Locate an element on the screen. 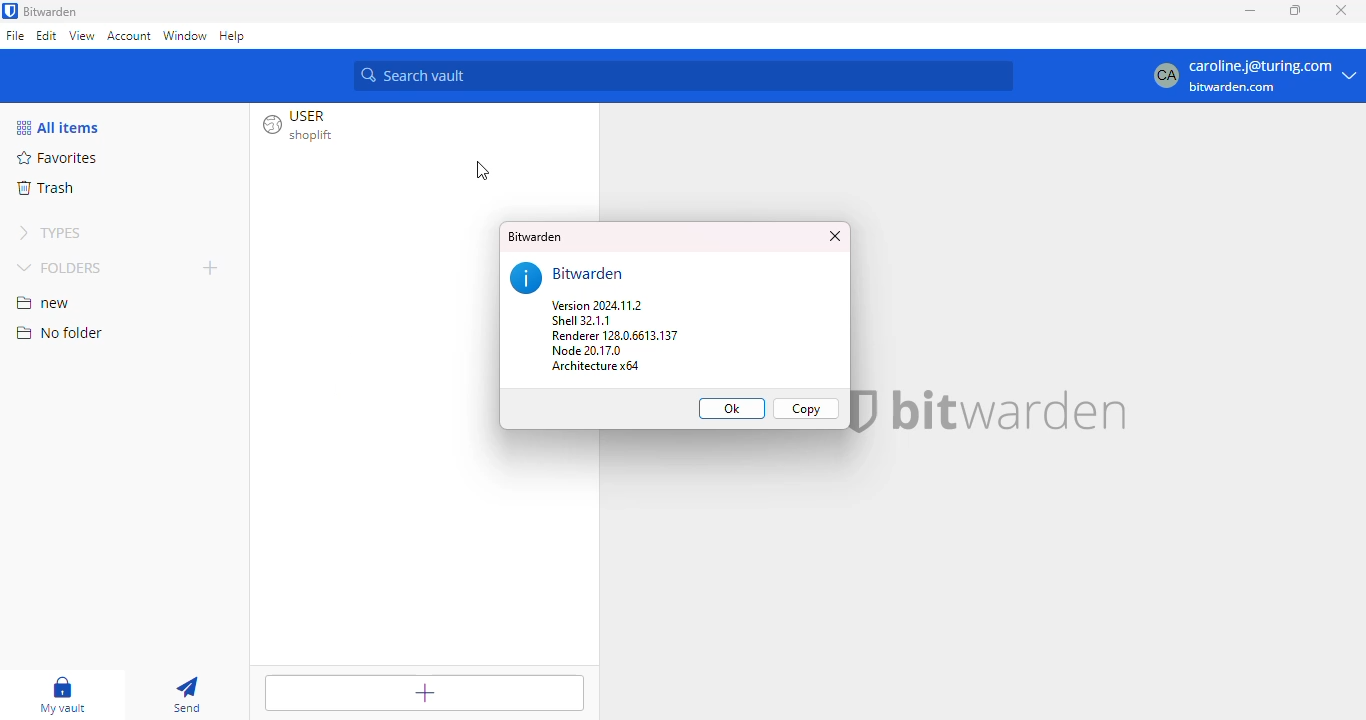 The height and width of the screenshot is (720, 1366). edit is located at coordinates (47, 35).